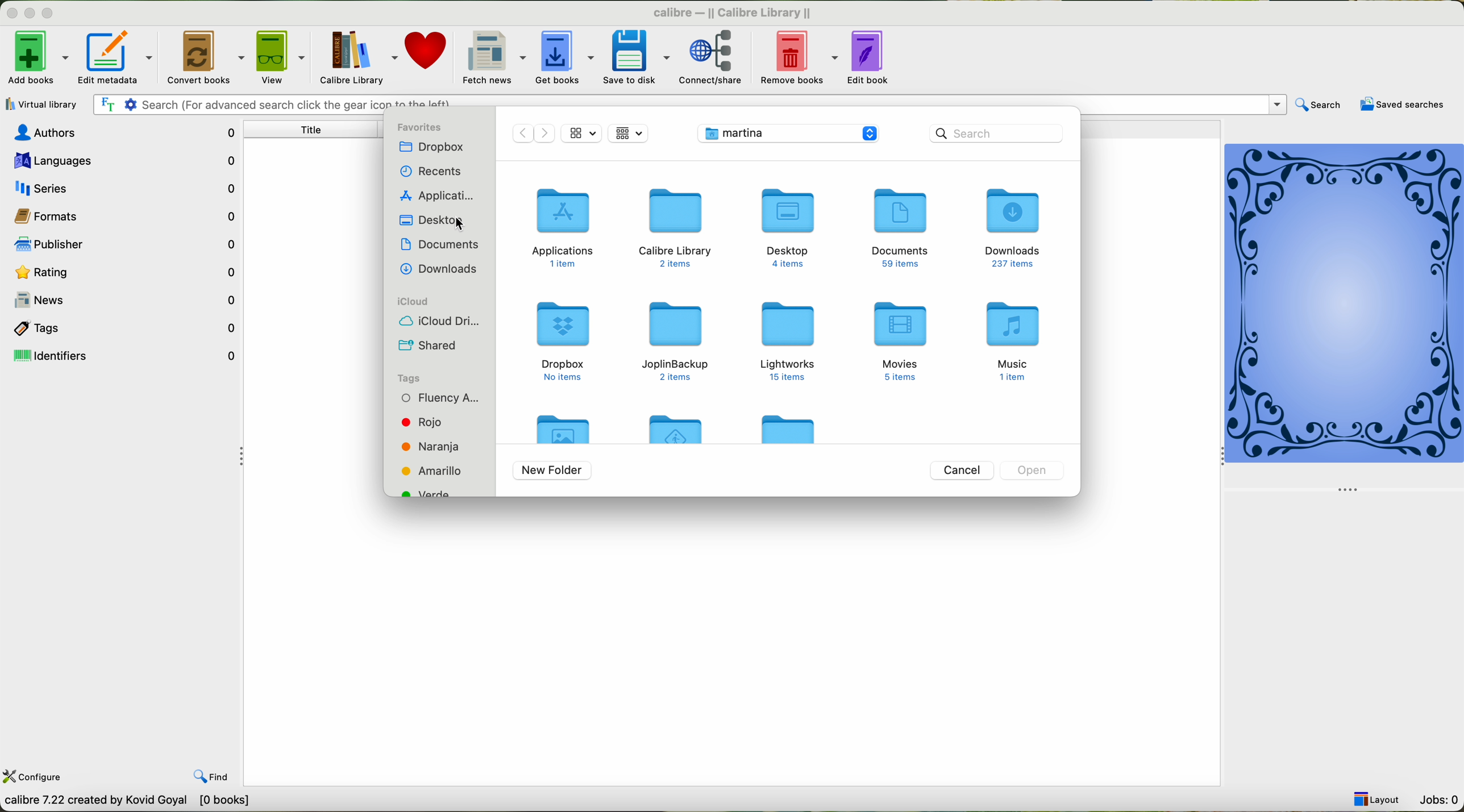 The width and height of the screenshot is (1464, 812). I want to click on languages, so click(121, 160).